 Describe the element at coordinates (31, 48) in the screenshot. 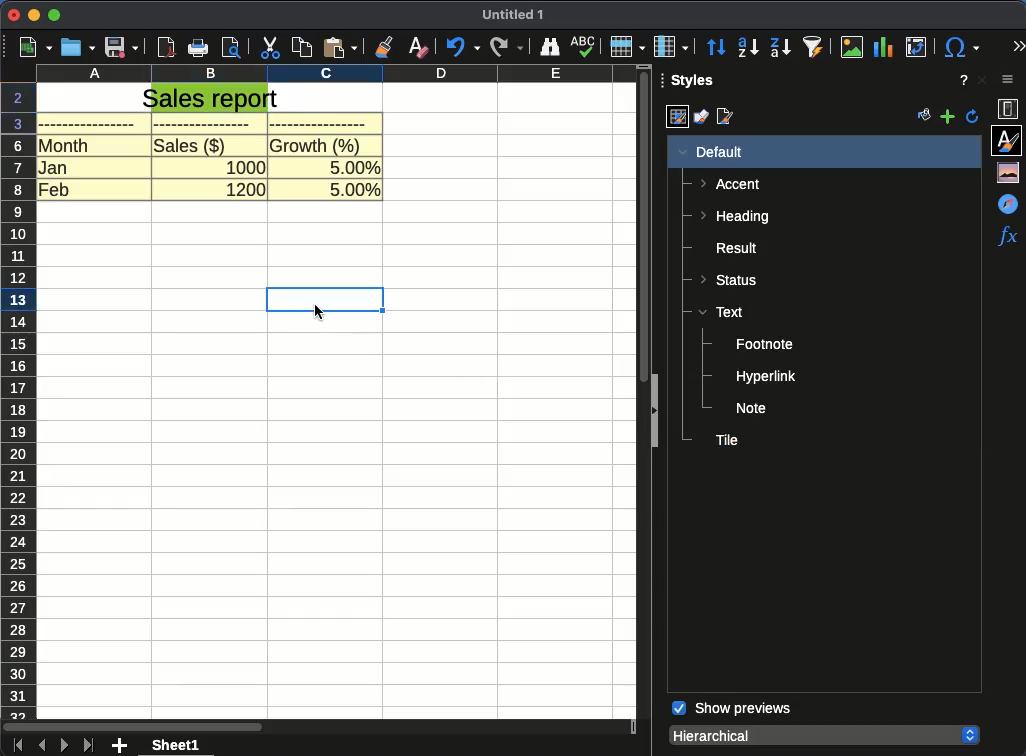

I see `new` at that location.